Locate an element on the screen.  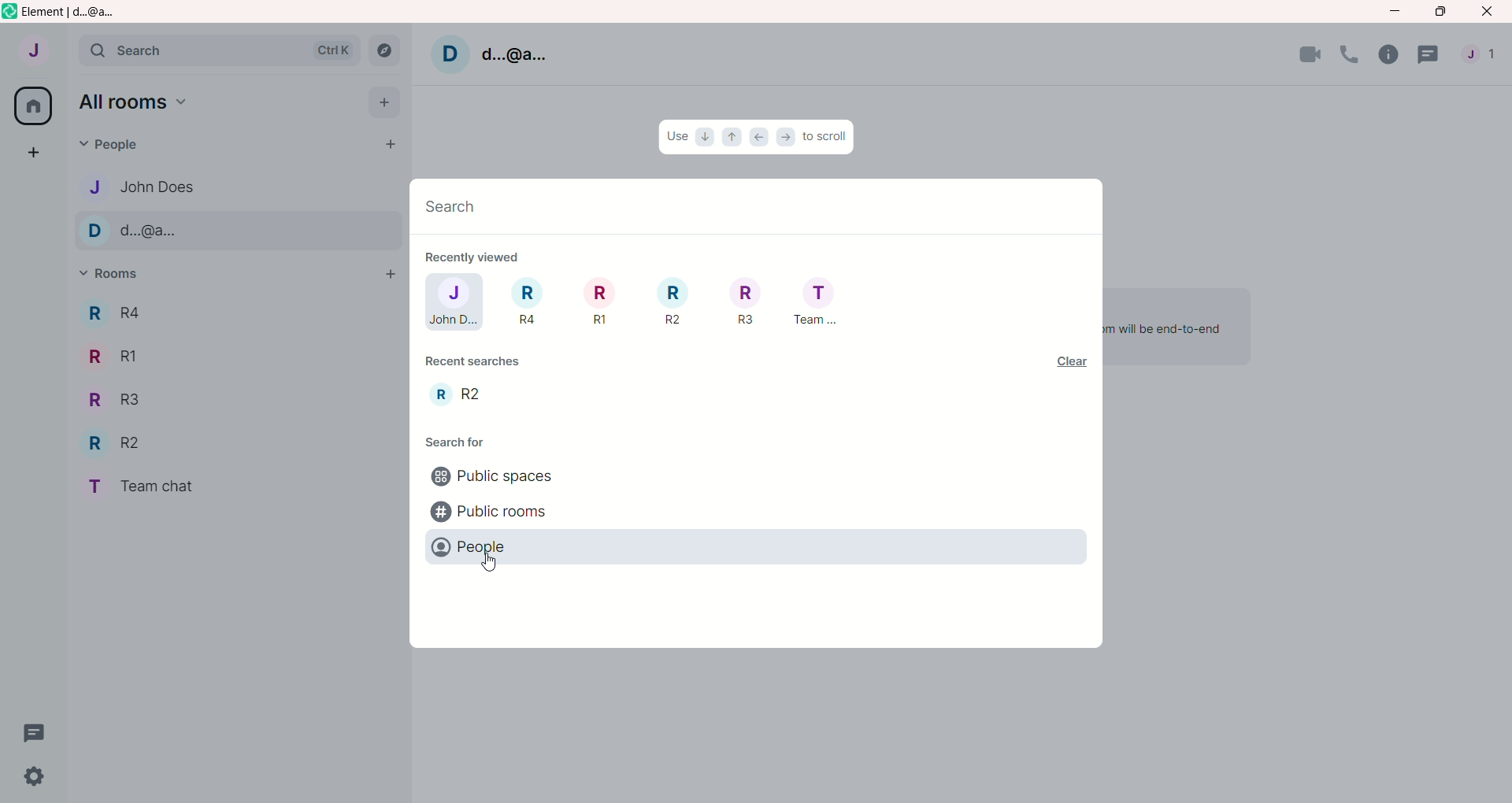
Recently viewed is located at coordinates (481, 256).